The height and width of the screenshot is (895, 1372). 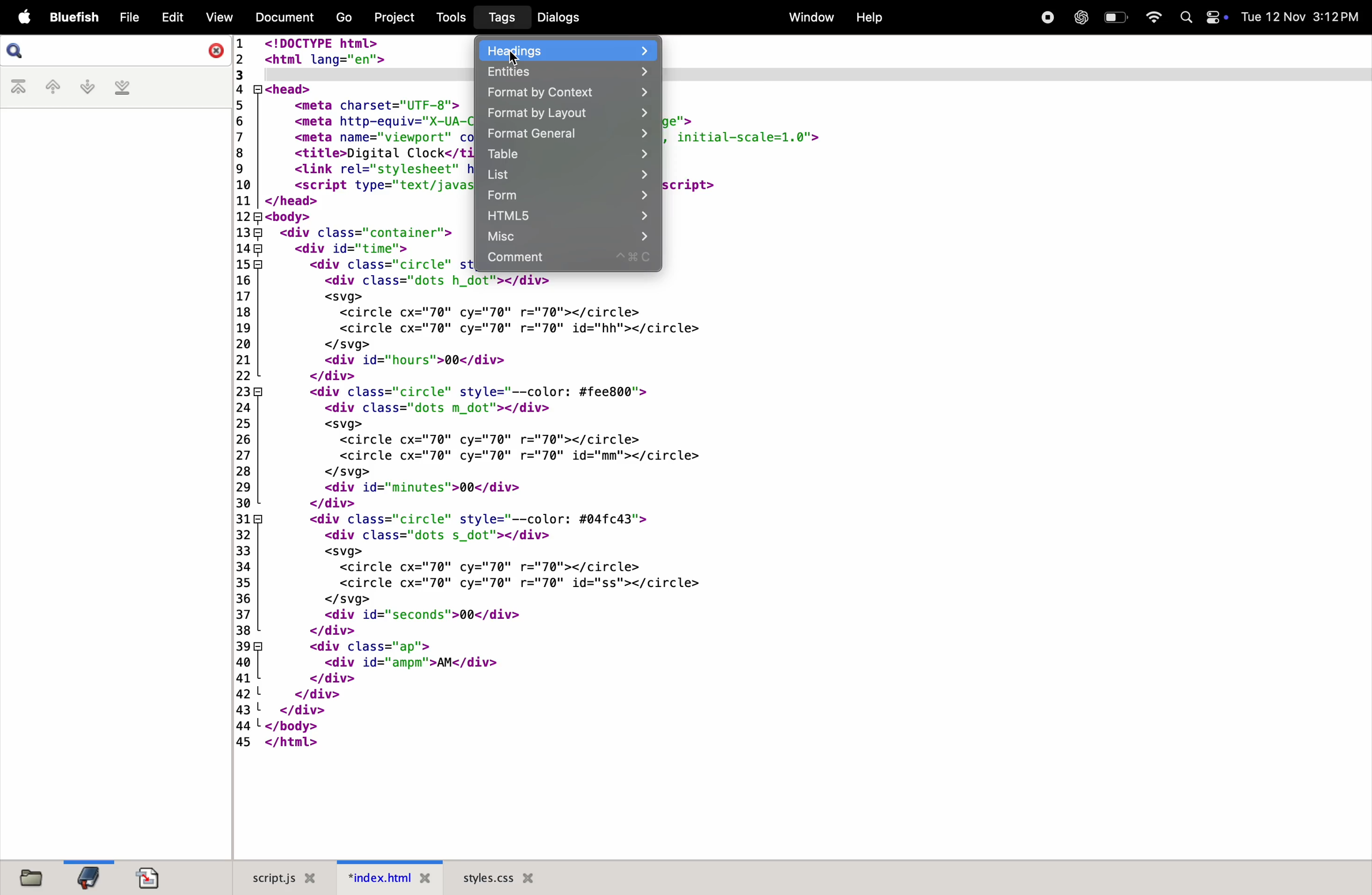 I want to click on cursor, so click(x=513, y=58).